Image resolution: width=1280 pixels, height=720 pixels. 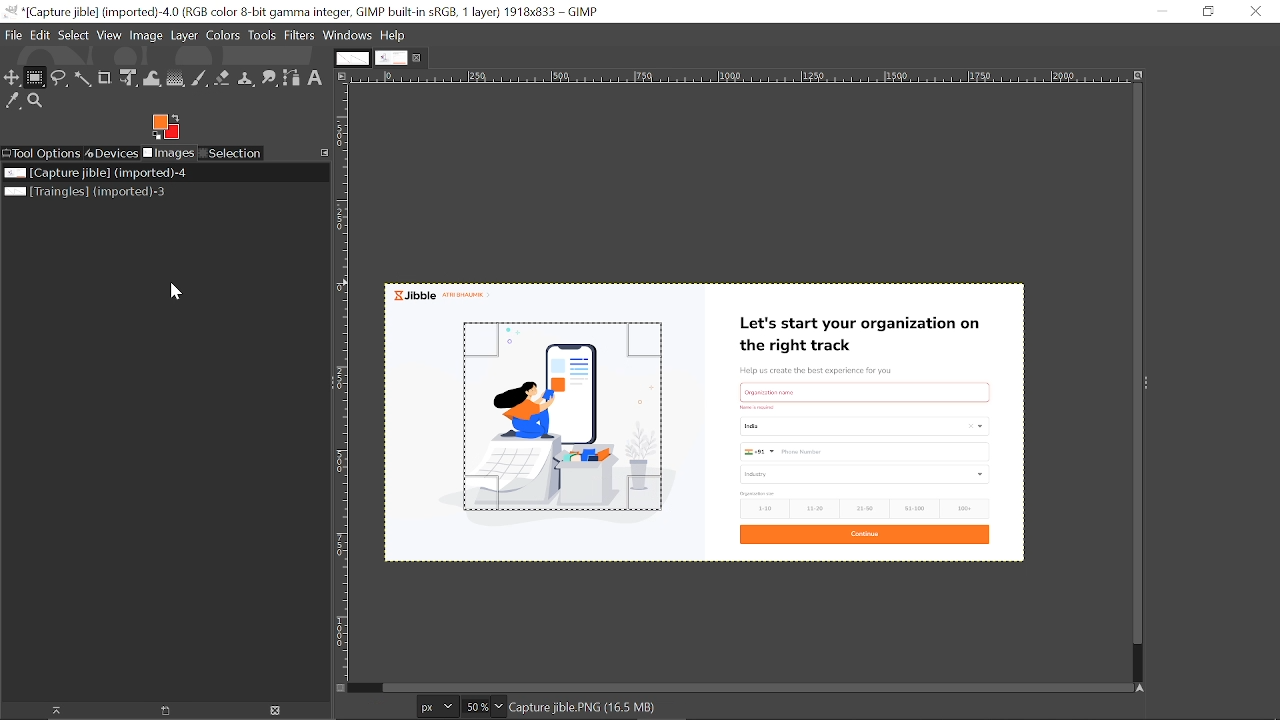 What do you see at coordinates (35, 103) in the screenshot?
I see `Zoom` at bounding box center [35, 103].